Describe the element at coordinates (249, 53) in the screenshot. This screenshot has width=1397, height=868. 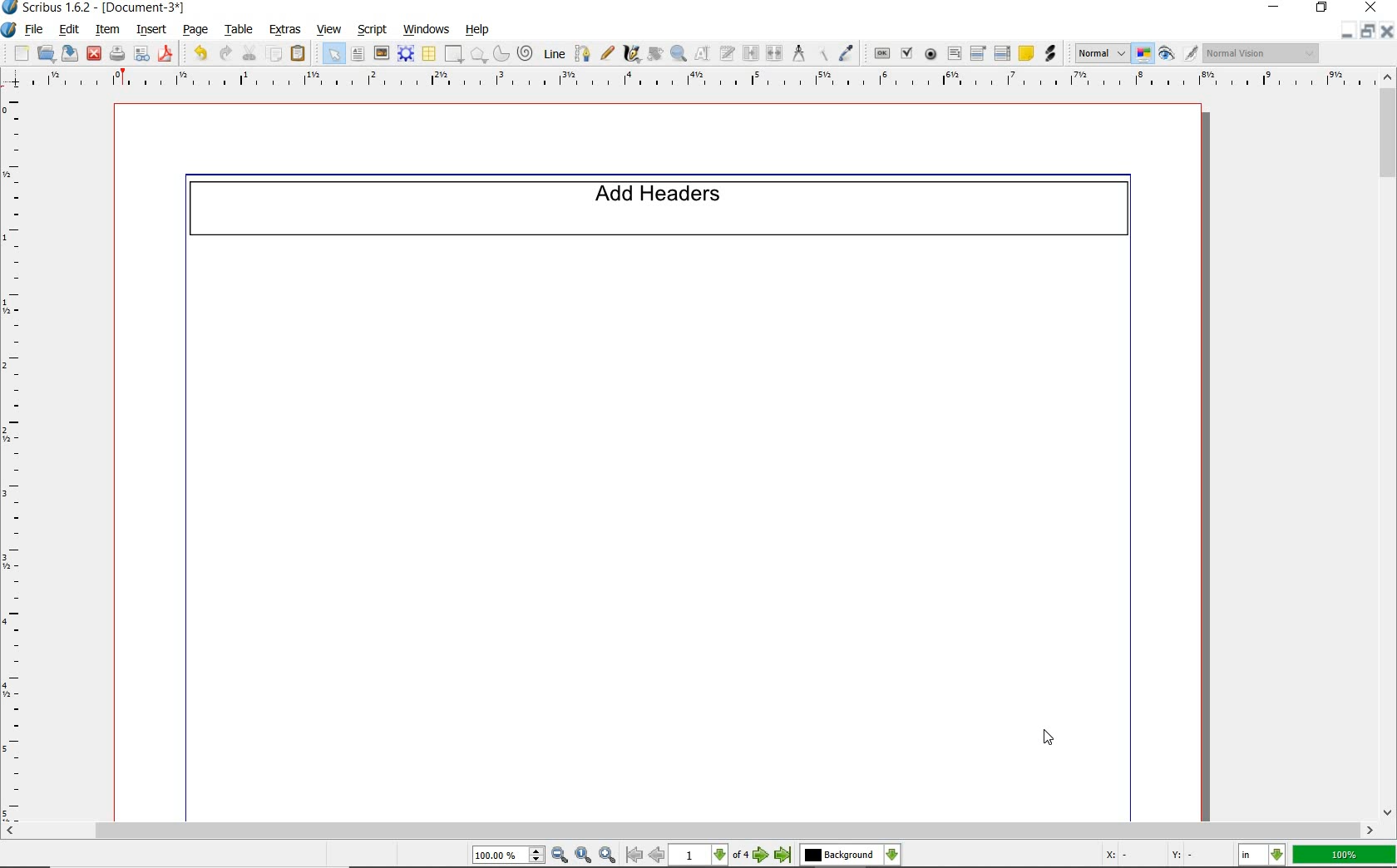
I see `cut` at that location.